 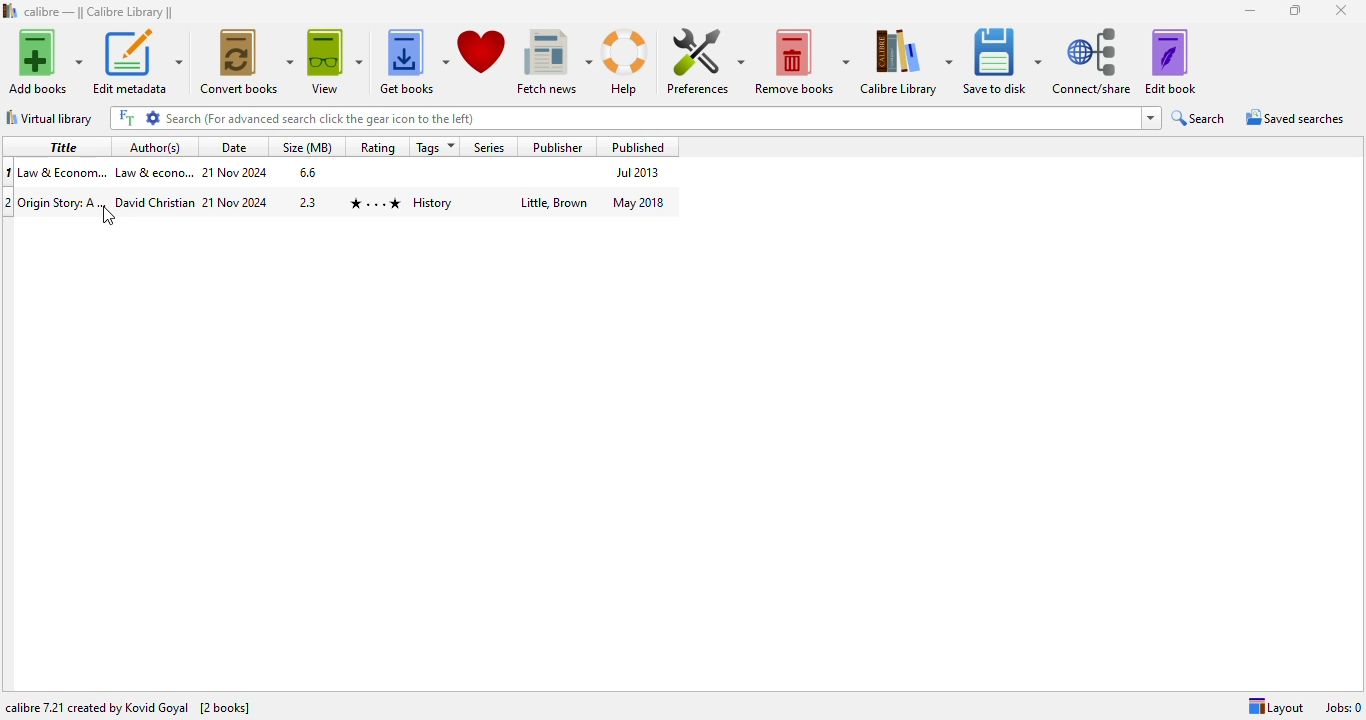 I want to click on [2 books, so click(x=224, y=707).